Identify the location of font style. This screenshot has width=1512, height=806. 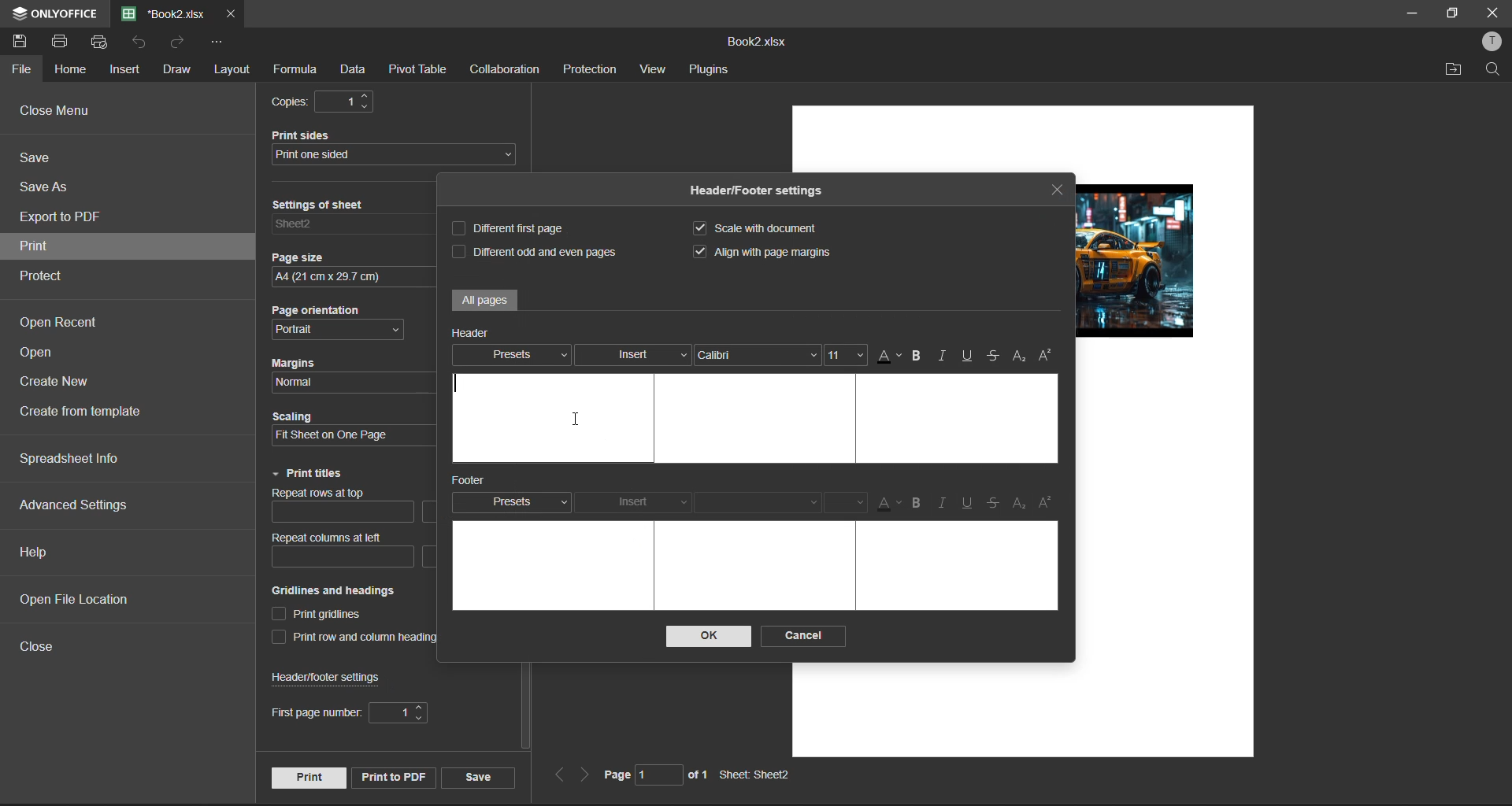
(757, 359).